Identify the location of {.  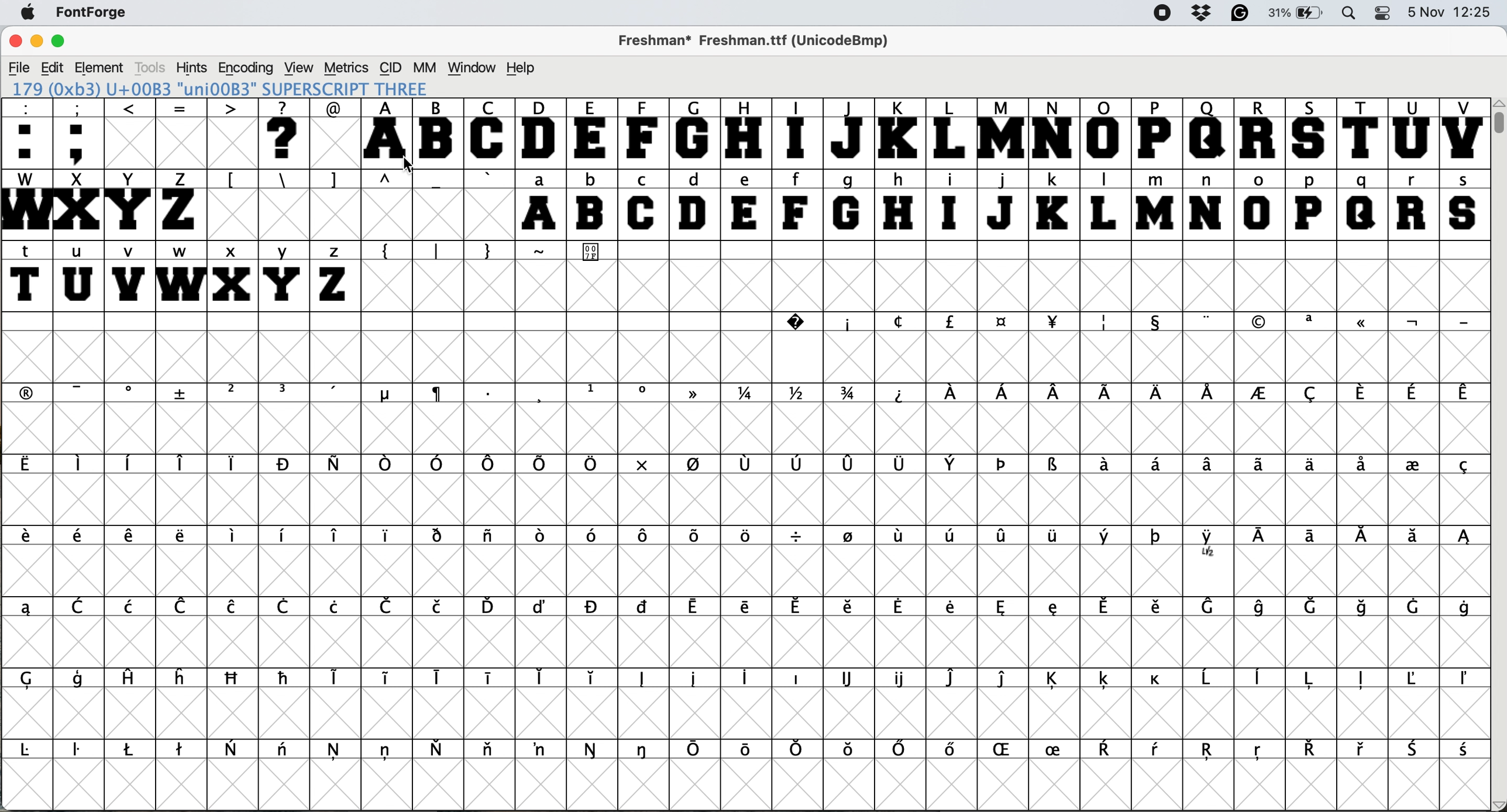
(387, 252).